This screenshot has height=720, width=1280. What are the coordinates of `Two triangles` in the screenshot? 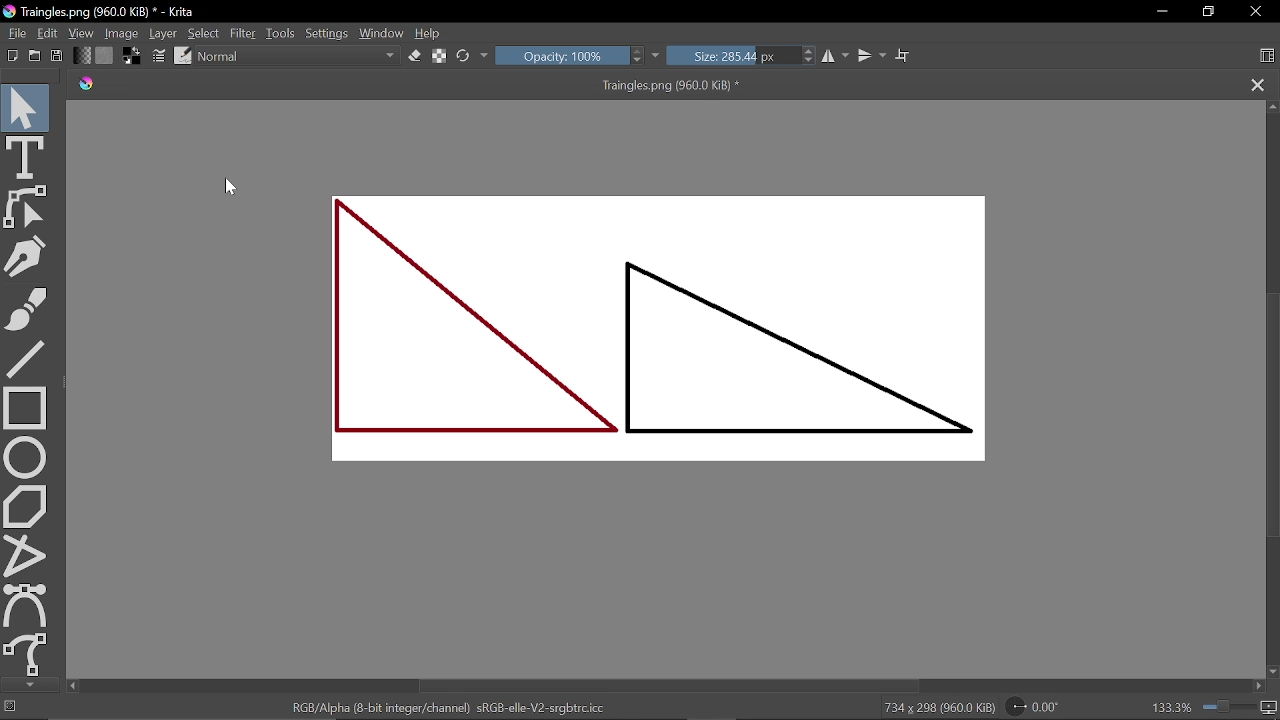 It's located at (675, 337).